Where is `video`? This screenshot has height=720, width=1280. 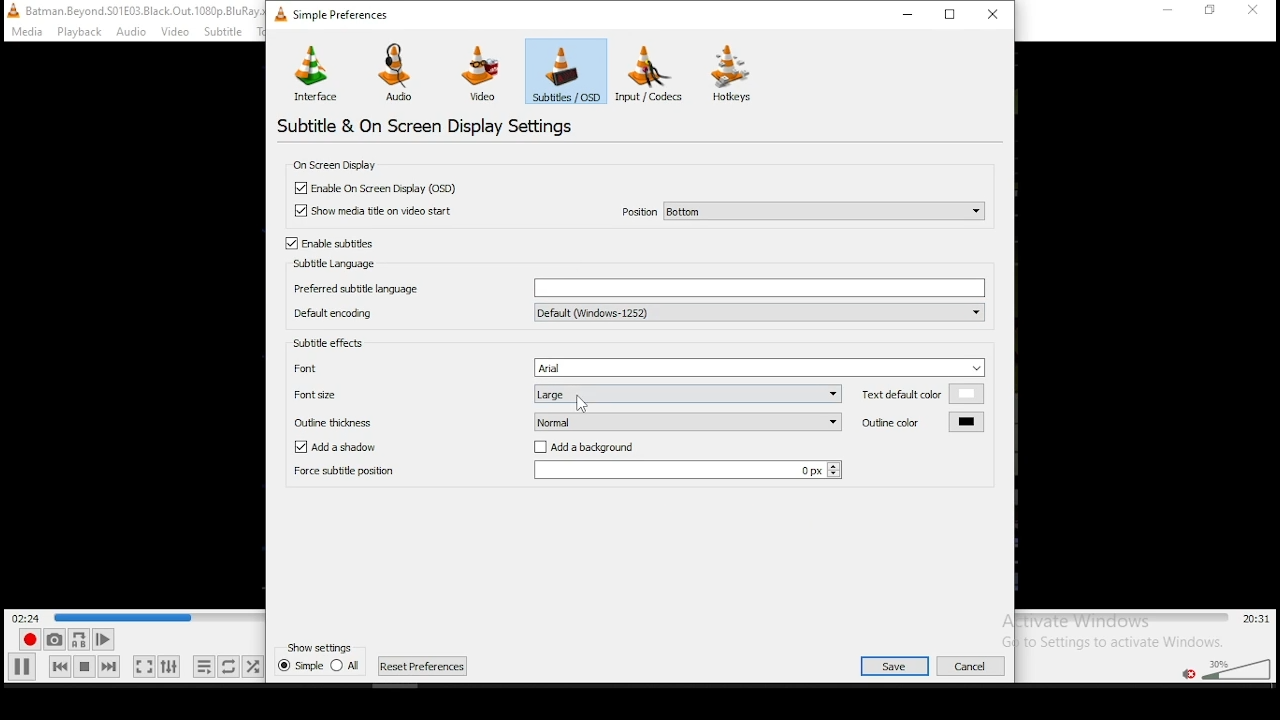 video is located at coordinates (483, 75).